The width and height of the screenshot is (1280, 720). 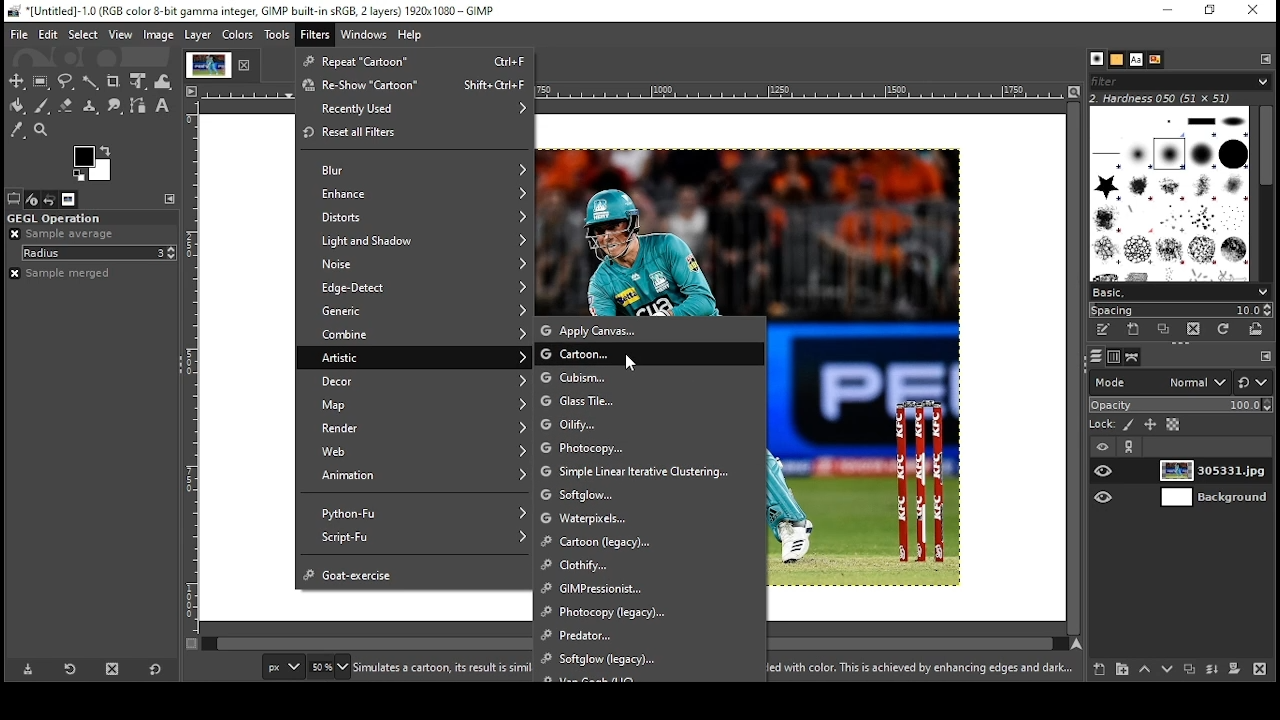 What do you see at coordinates (417, 61) in the screenshot?
I see `repeat` at bounding box center [417, 61].